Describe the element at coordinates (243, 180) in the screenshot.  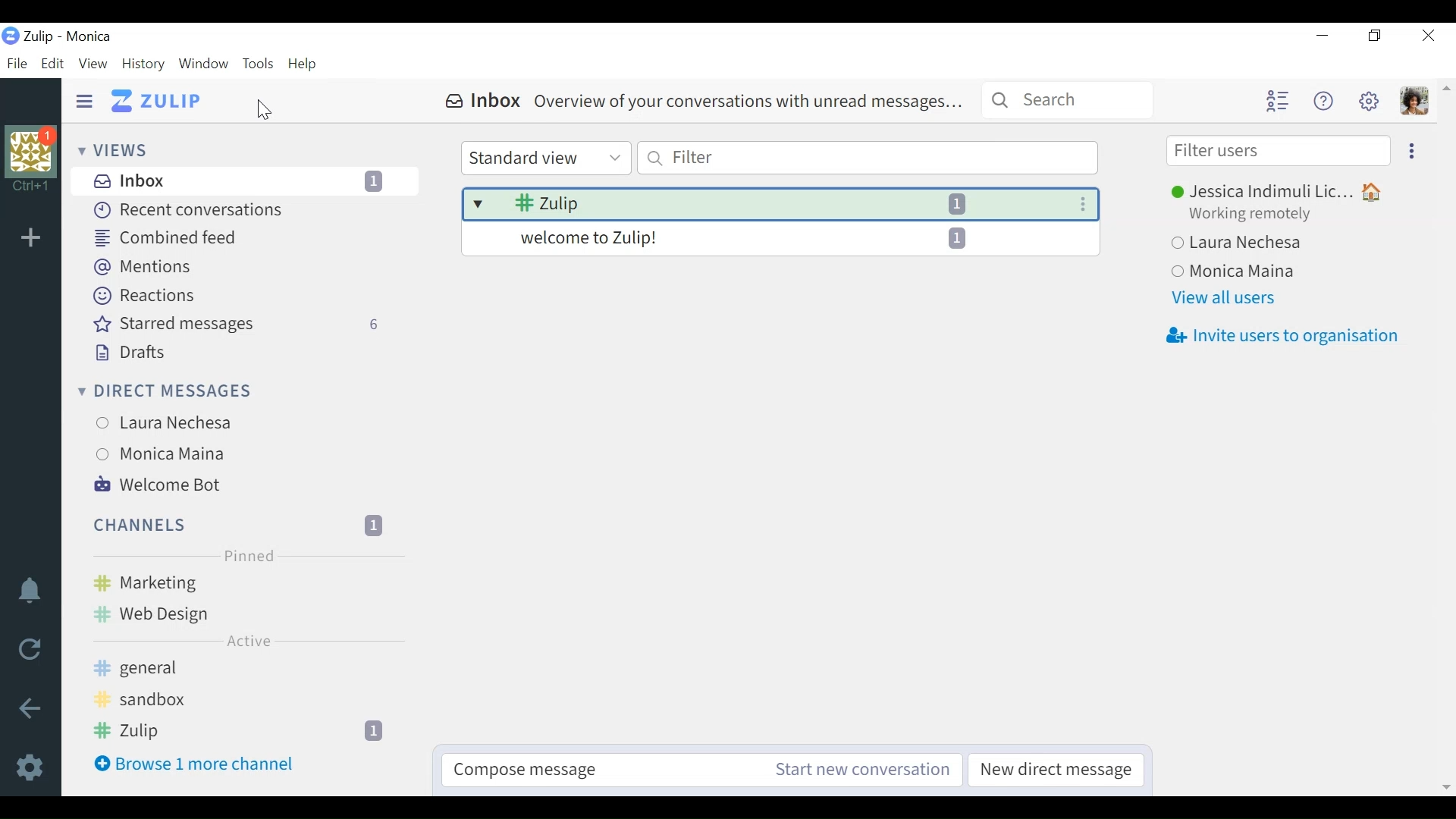
I see `Inbox` at that location.